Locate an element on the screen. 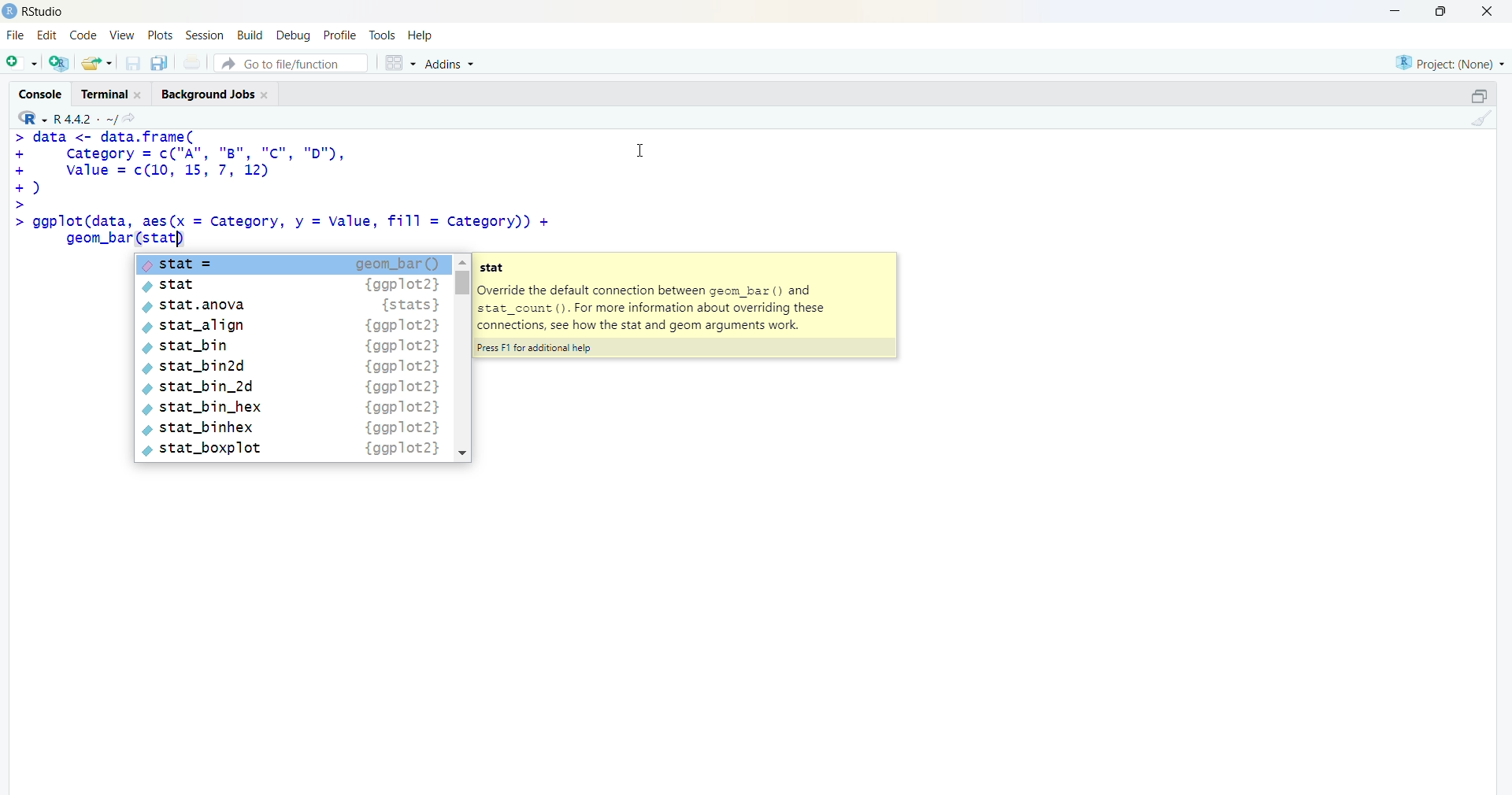 Image resolution: width=1512 pixels, height=795 pixels. selected project - none is located at coordinates (1452, 62).